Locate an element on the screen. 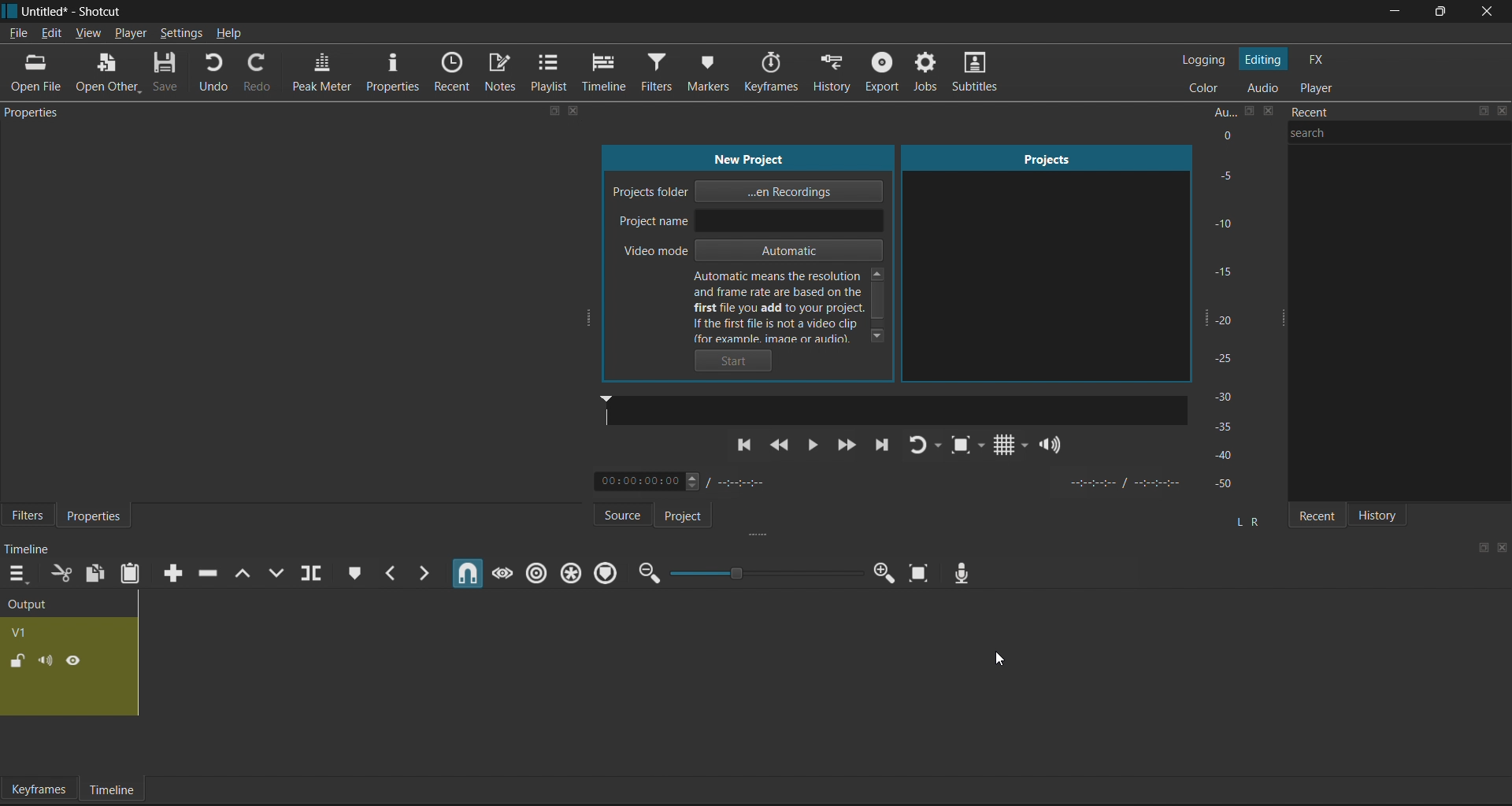 This screenshot has width=1512, height=806. Previous is located at coordinates (746, 451).